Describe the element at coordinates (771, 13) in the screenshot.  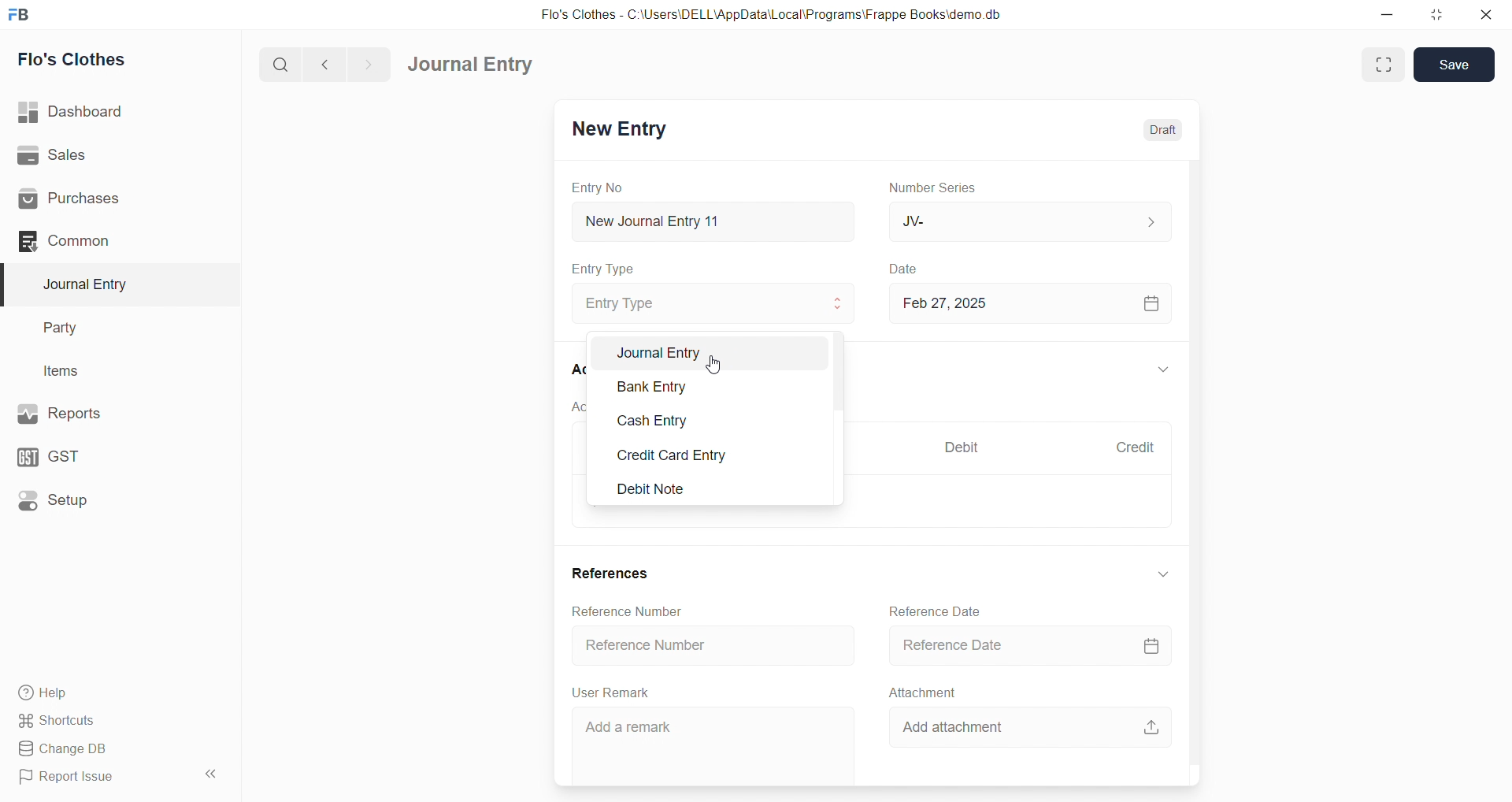
I see `Flo's Clothes - C:\Users\DELL\AppData\Local\Programs\Frappe Books\demo.db` at that location.